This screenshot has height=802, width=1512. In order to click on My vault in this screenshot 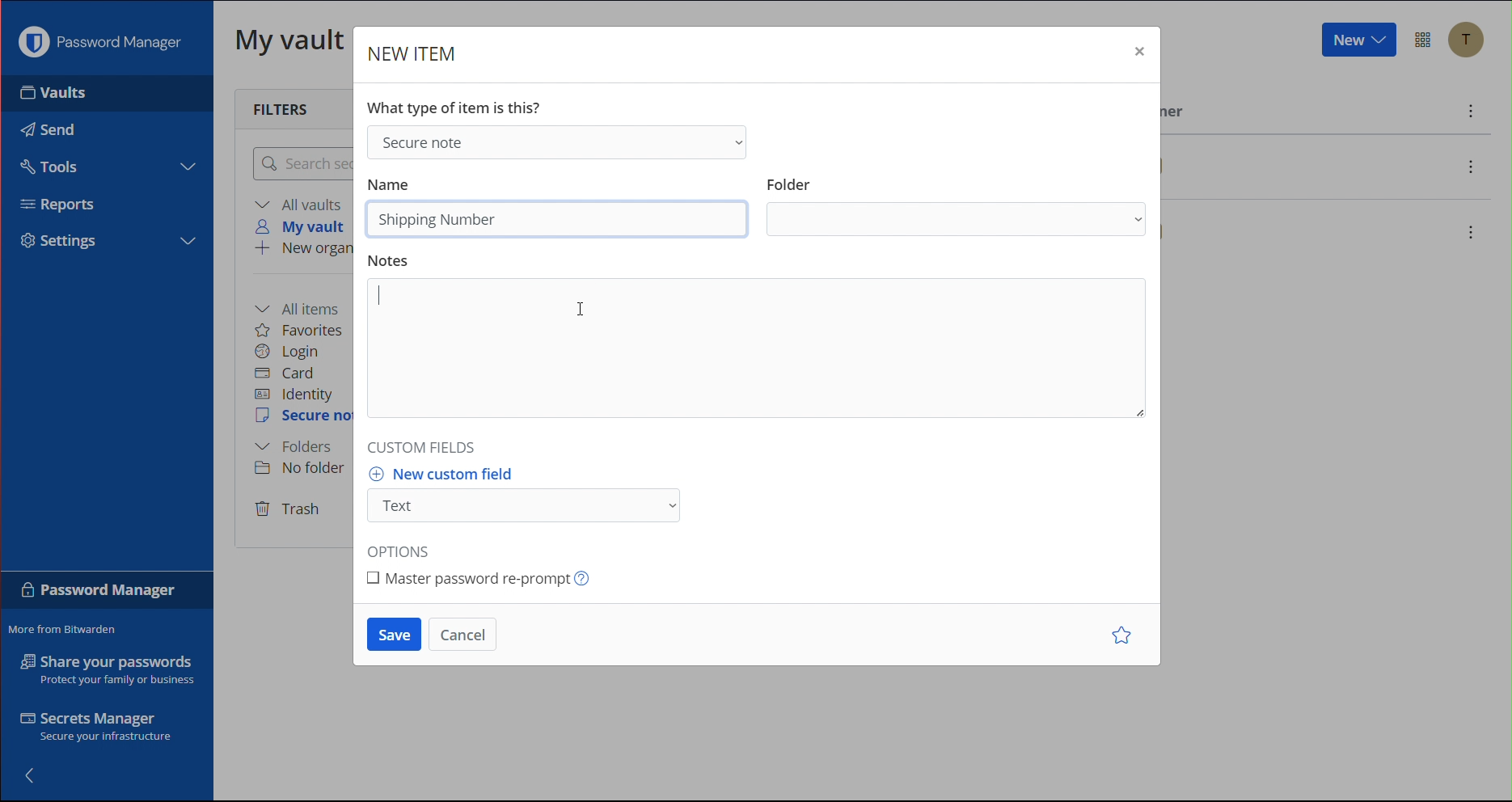, I will do `click(291, 44)`.